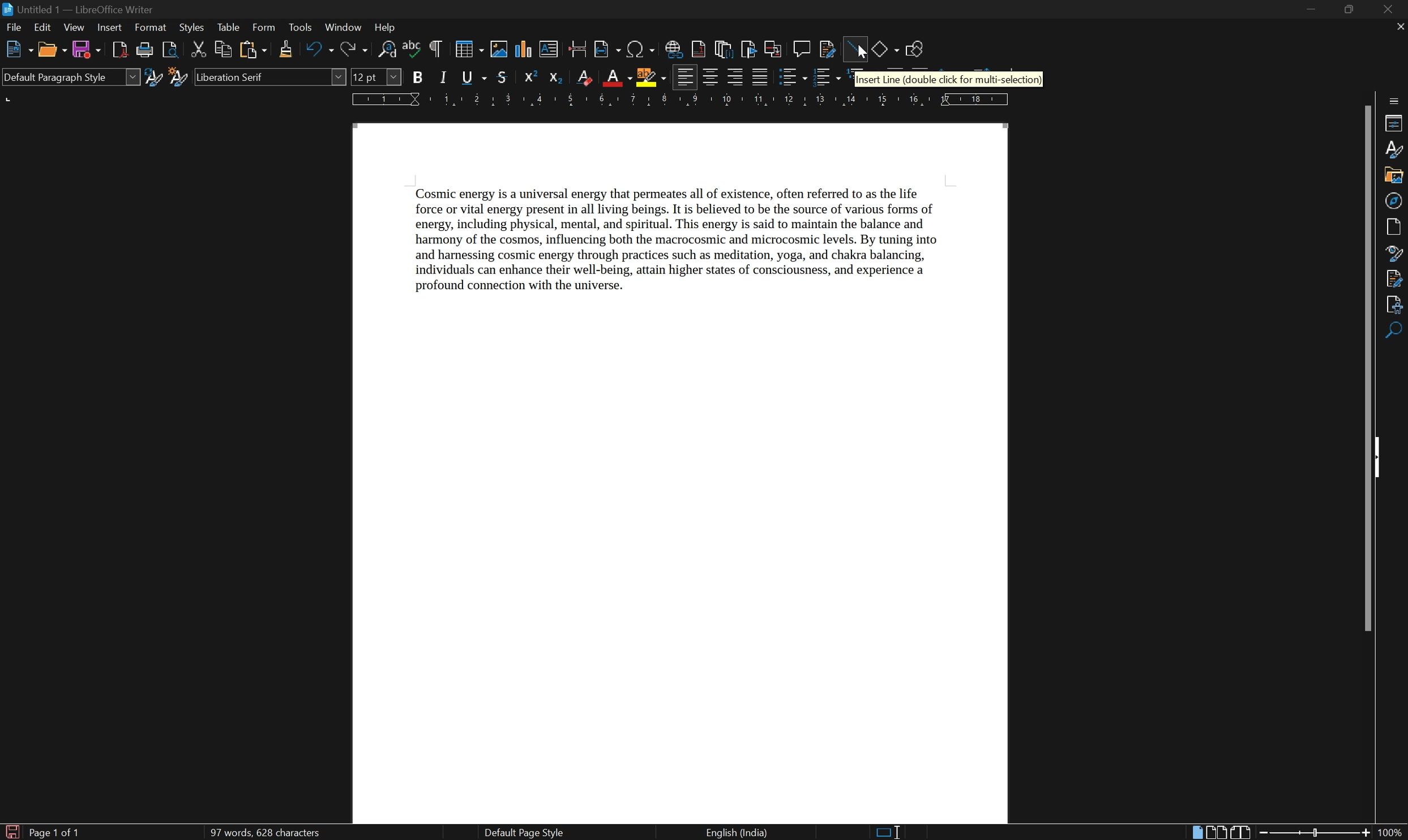  Describe the element at coordinates (1317, 832) in the screenshot. I see `slider` at that location.